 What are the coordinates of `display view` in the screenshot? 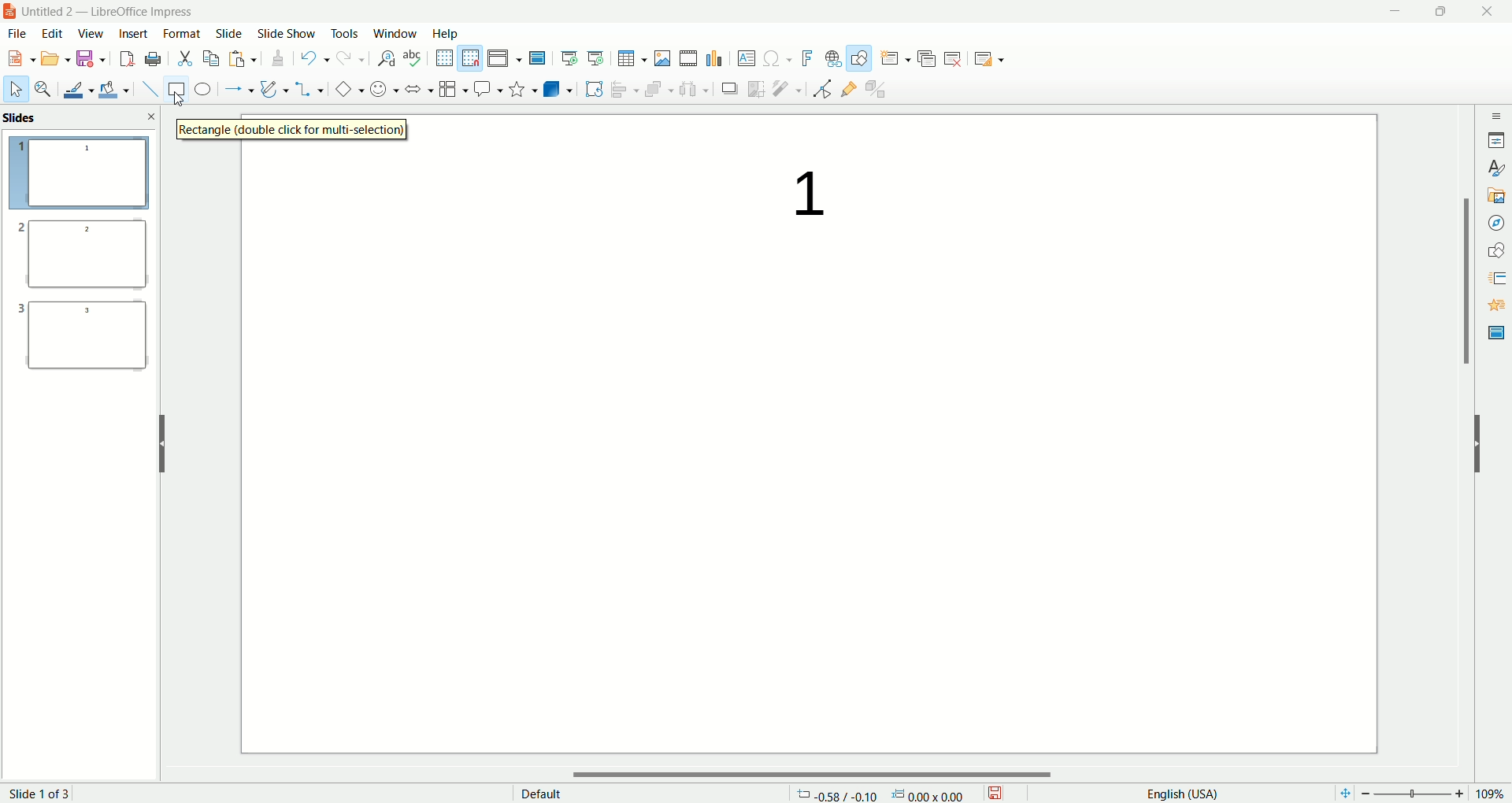 It's located at (506, 57).